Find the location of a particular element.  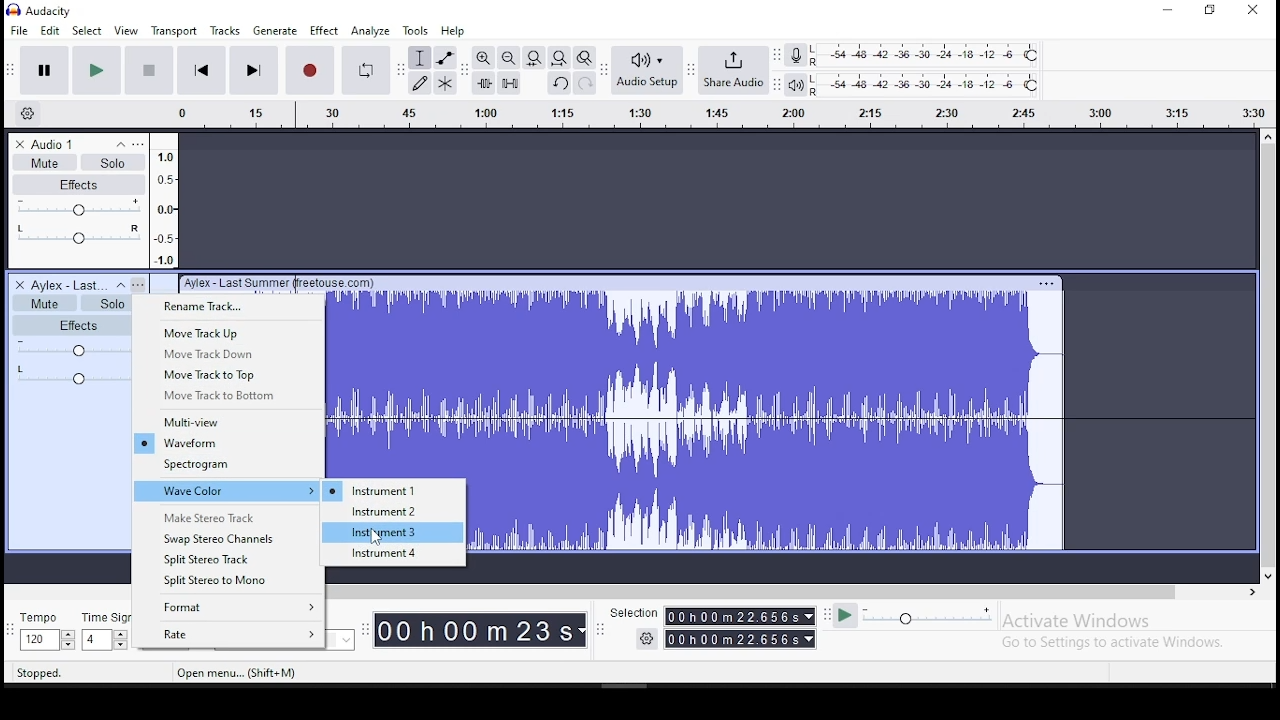

waveform is located at coordinates (226, 443).